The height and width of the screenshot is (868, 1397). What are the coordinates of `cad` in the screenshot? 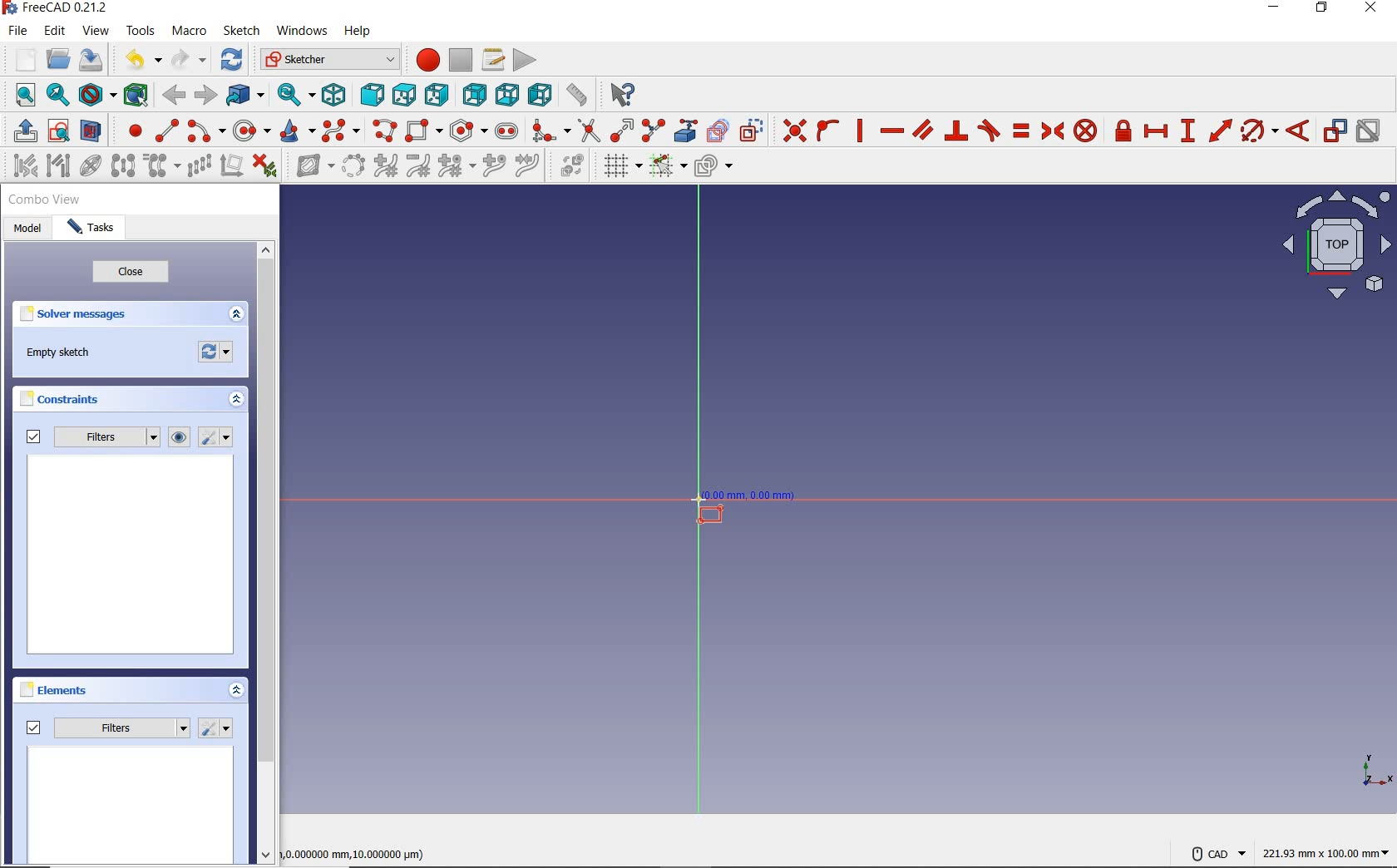 It's located at (1218, 848).